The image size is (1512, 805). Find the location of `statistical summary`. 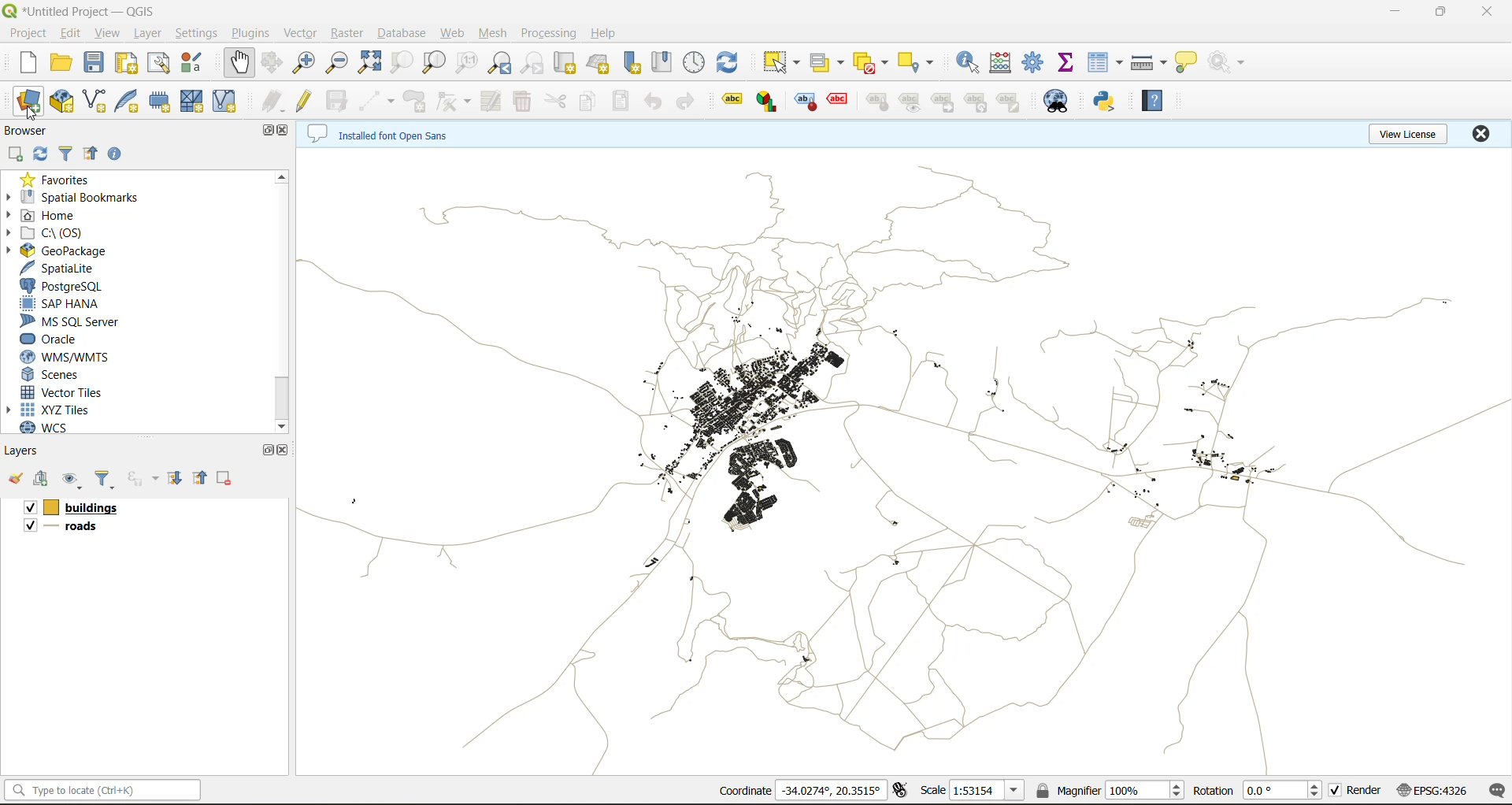

statistical summary is located at coordinates (1069, 63).